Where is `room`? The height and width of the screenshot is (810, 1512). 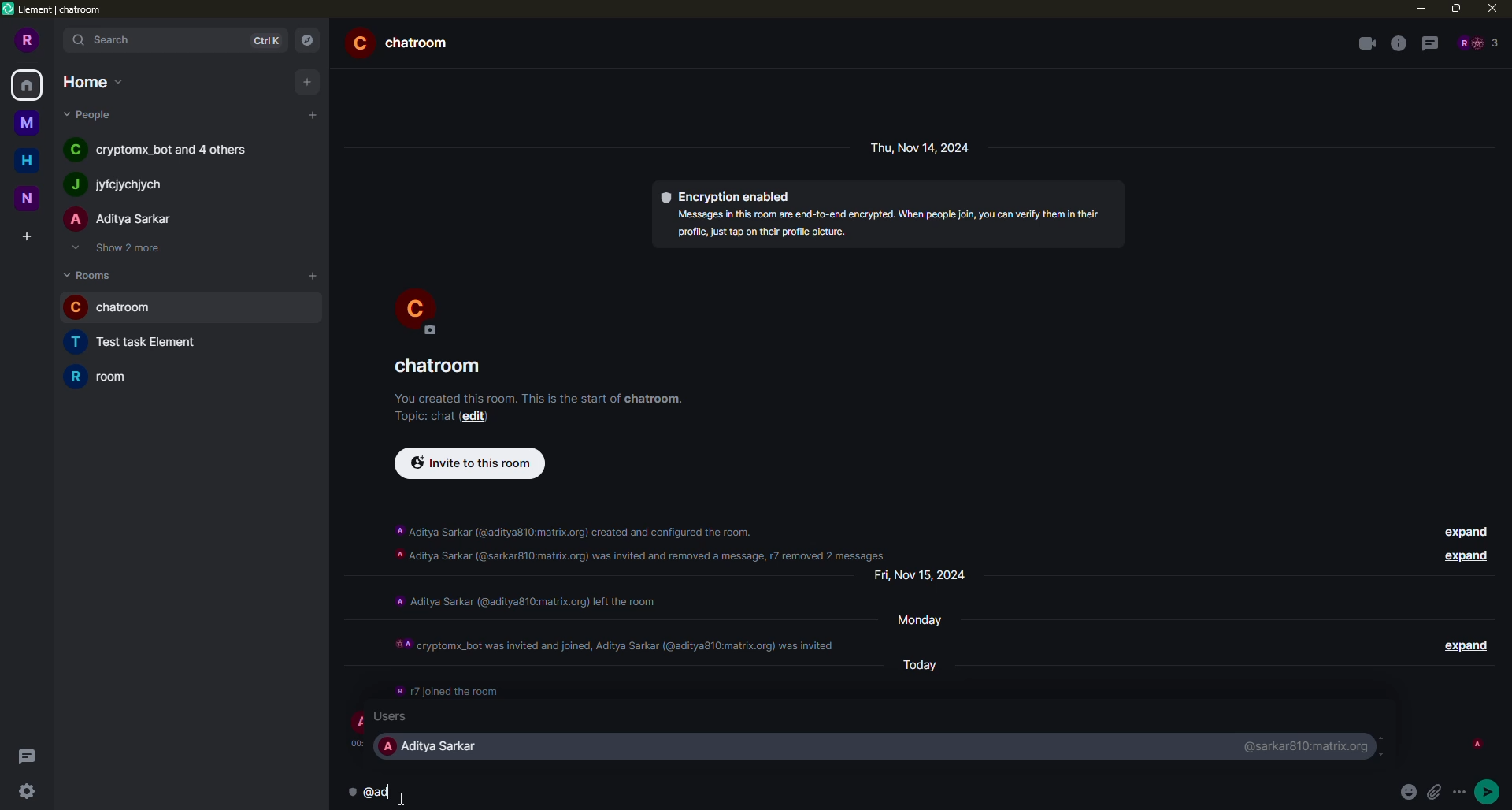 room is located at coordinates (405, 42).